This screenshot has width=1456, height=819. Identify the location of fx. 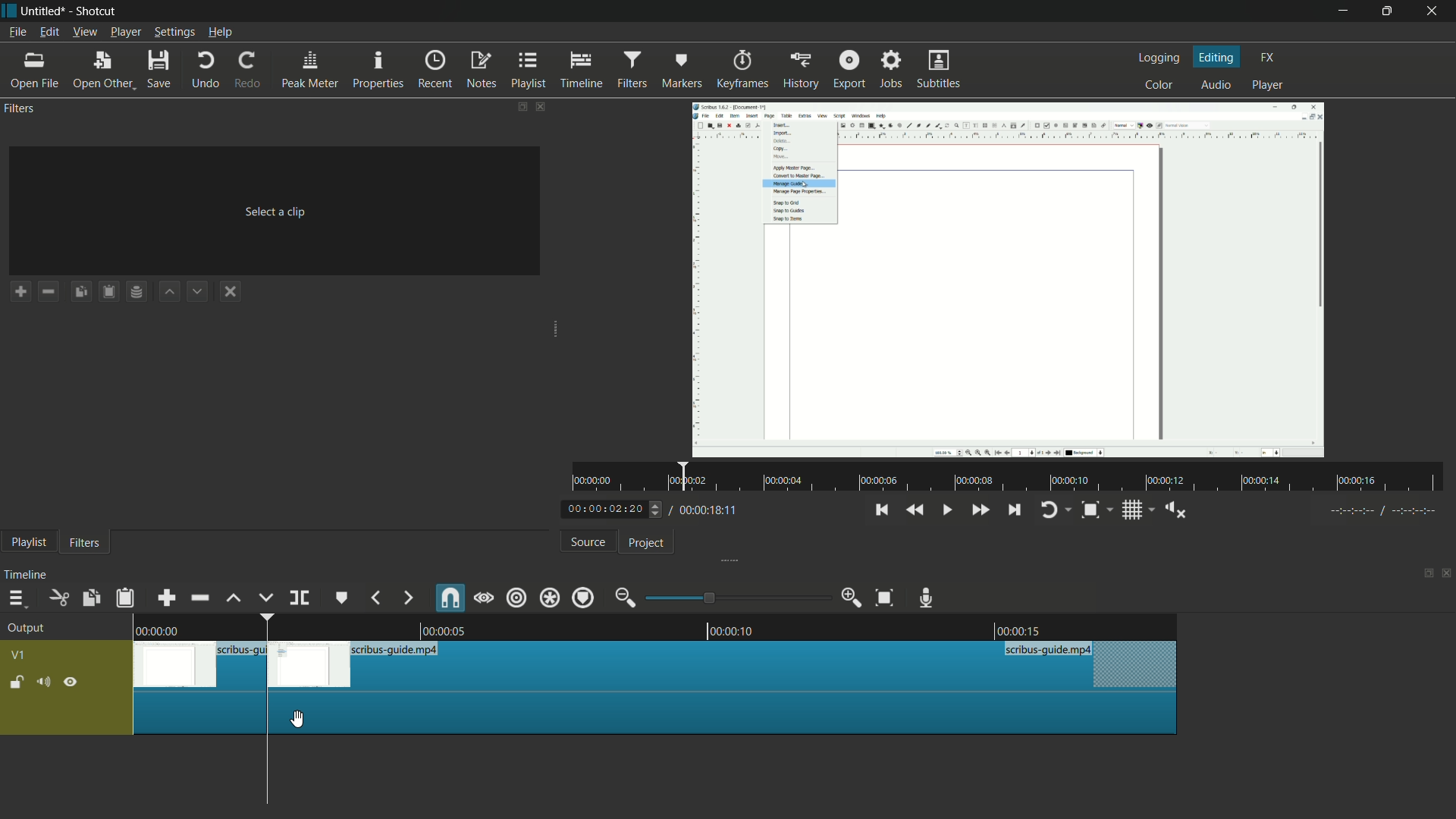
(1267, 55).